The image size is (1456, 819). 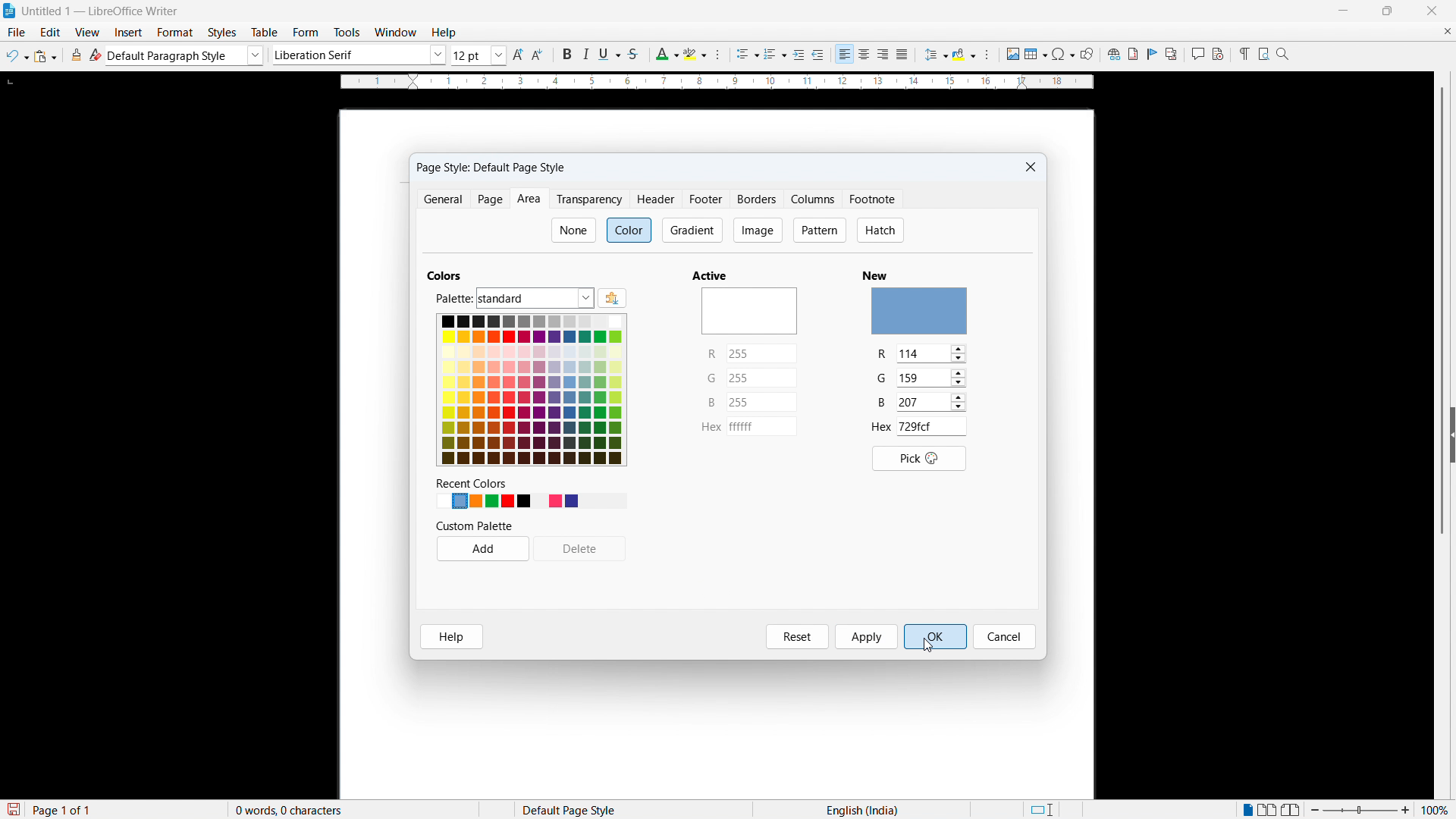 What do you see at coordinates (1197, 54) in the screenshot?
I see `Insert comment ` at bounding box center [1197, 54].